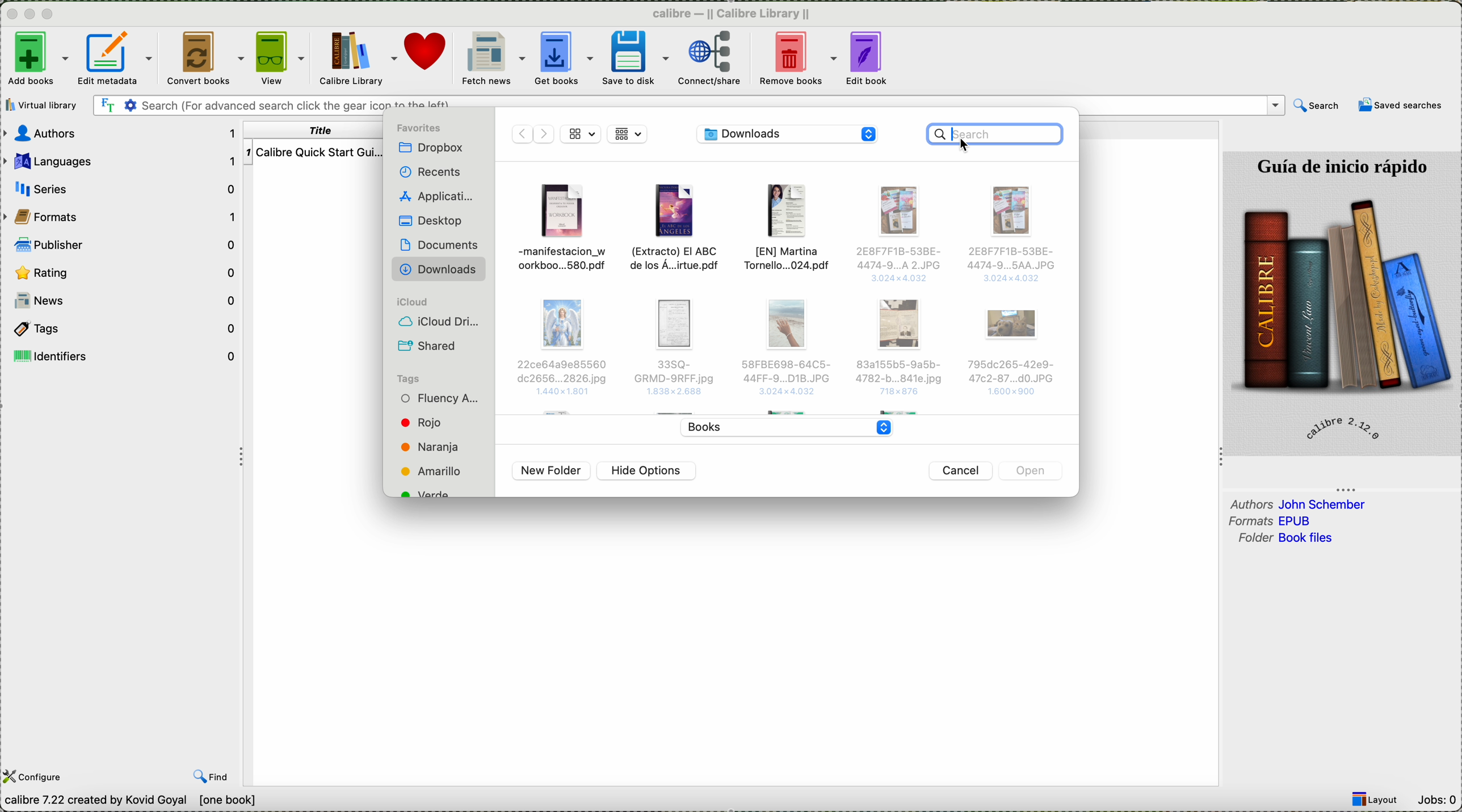 Image resolution: width=1462 pixels, height=812 pixels. What do you see at coordinates (1013, 233) in the screenshot?
I see `` at bounding box center [1013, 233].